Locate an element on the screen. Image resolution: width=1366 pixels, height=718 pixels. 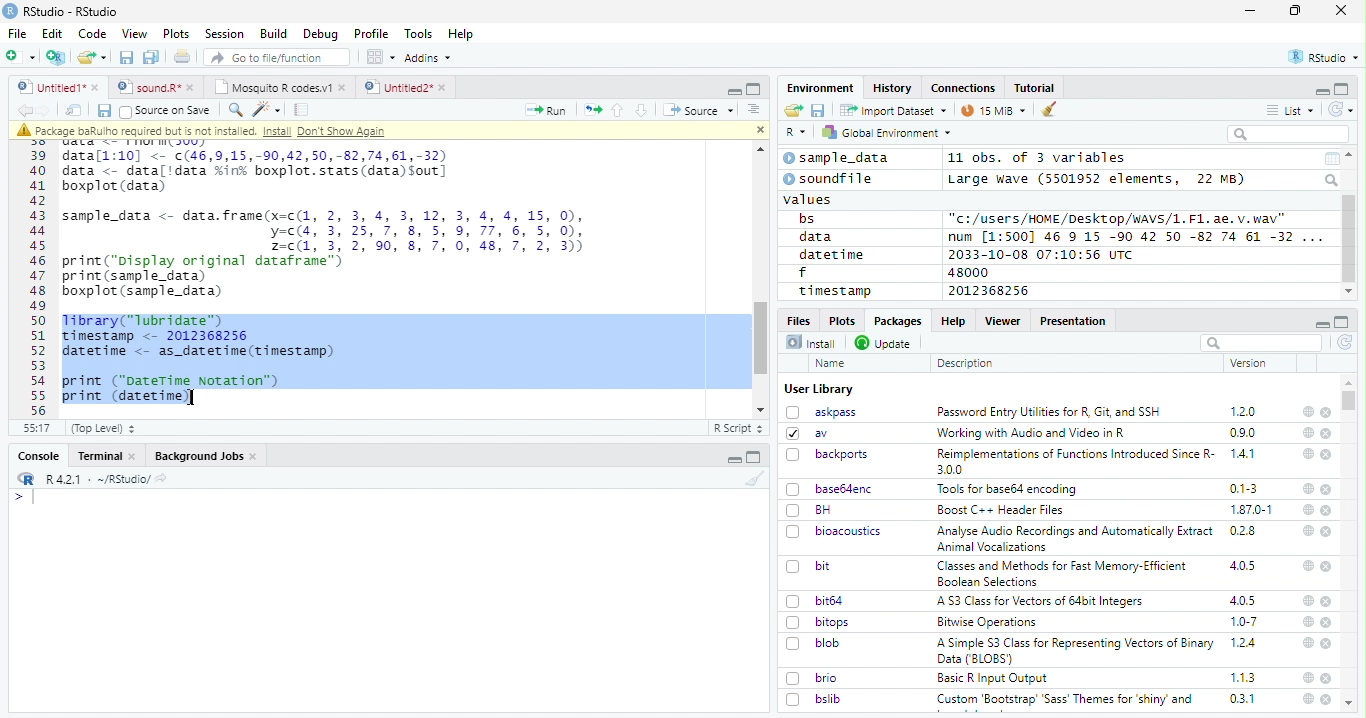
View is located at coordinates (135, 34).